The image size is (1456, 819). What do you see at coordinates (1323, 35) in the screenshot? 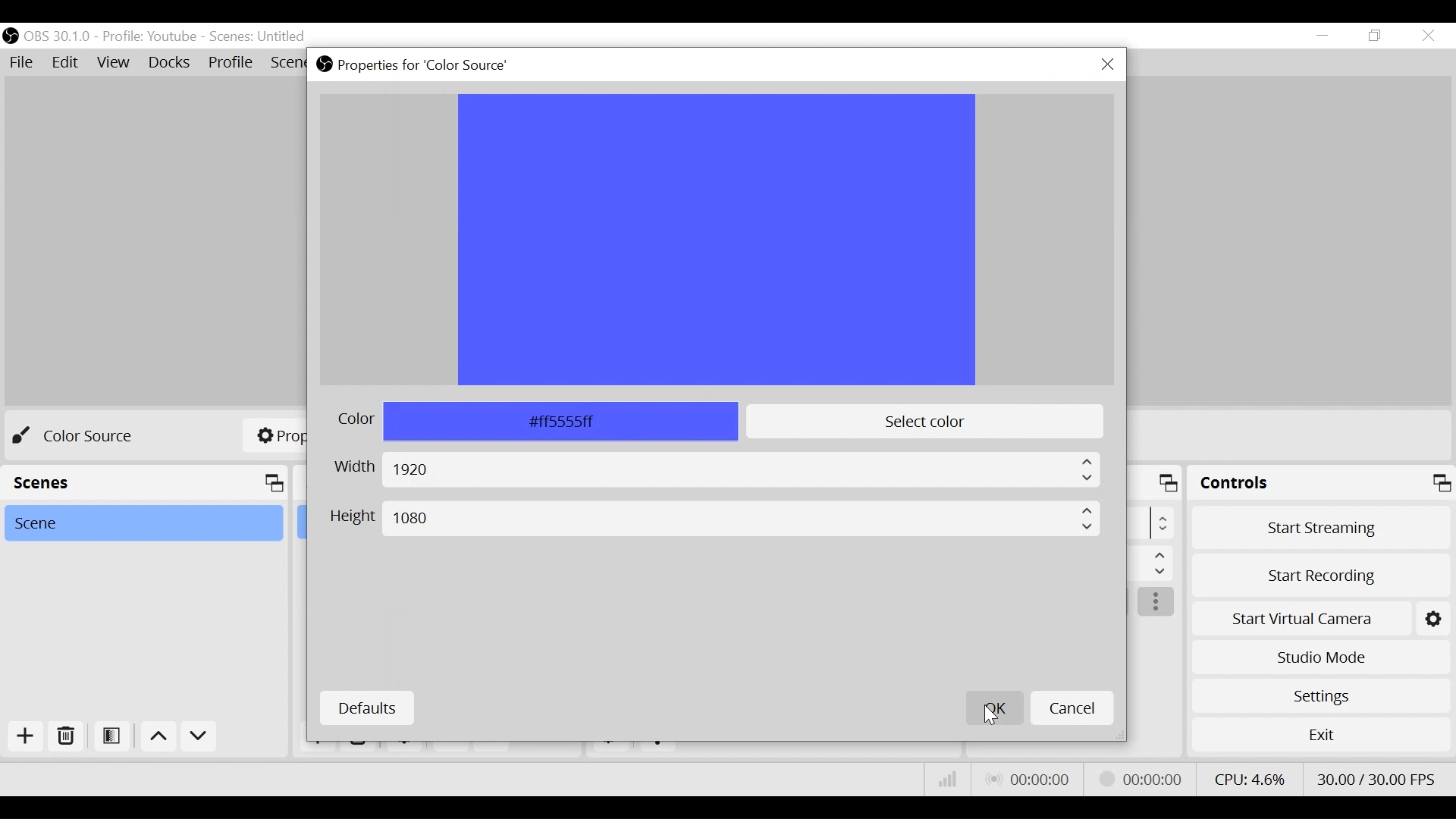
I see `minimize` at bounding box center [1323, 35].